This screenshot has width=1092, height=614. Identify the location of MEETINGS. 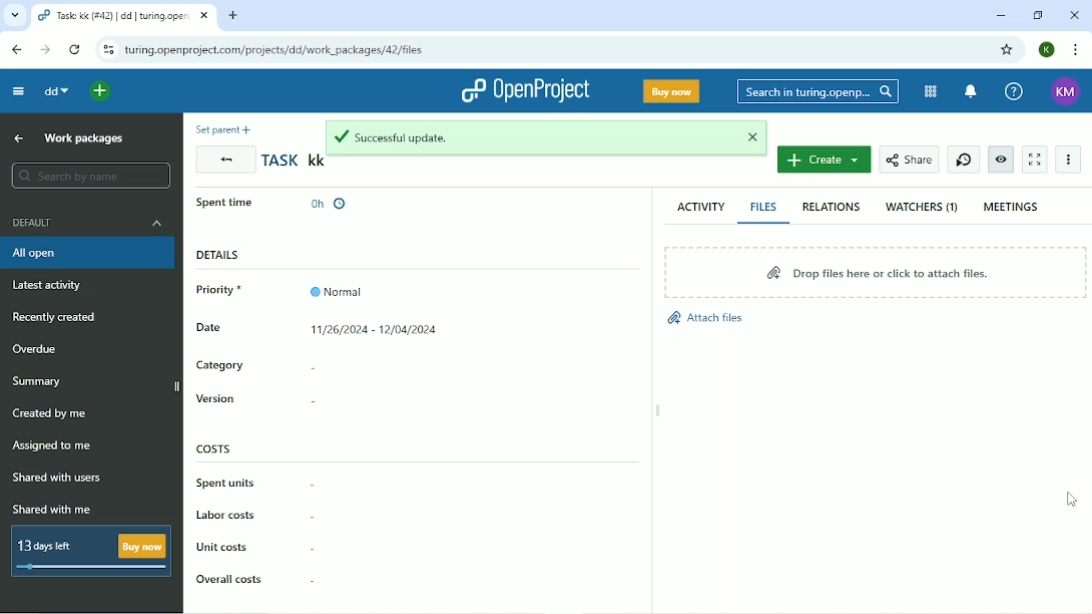
(1012, 207).